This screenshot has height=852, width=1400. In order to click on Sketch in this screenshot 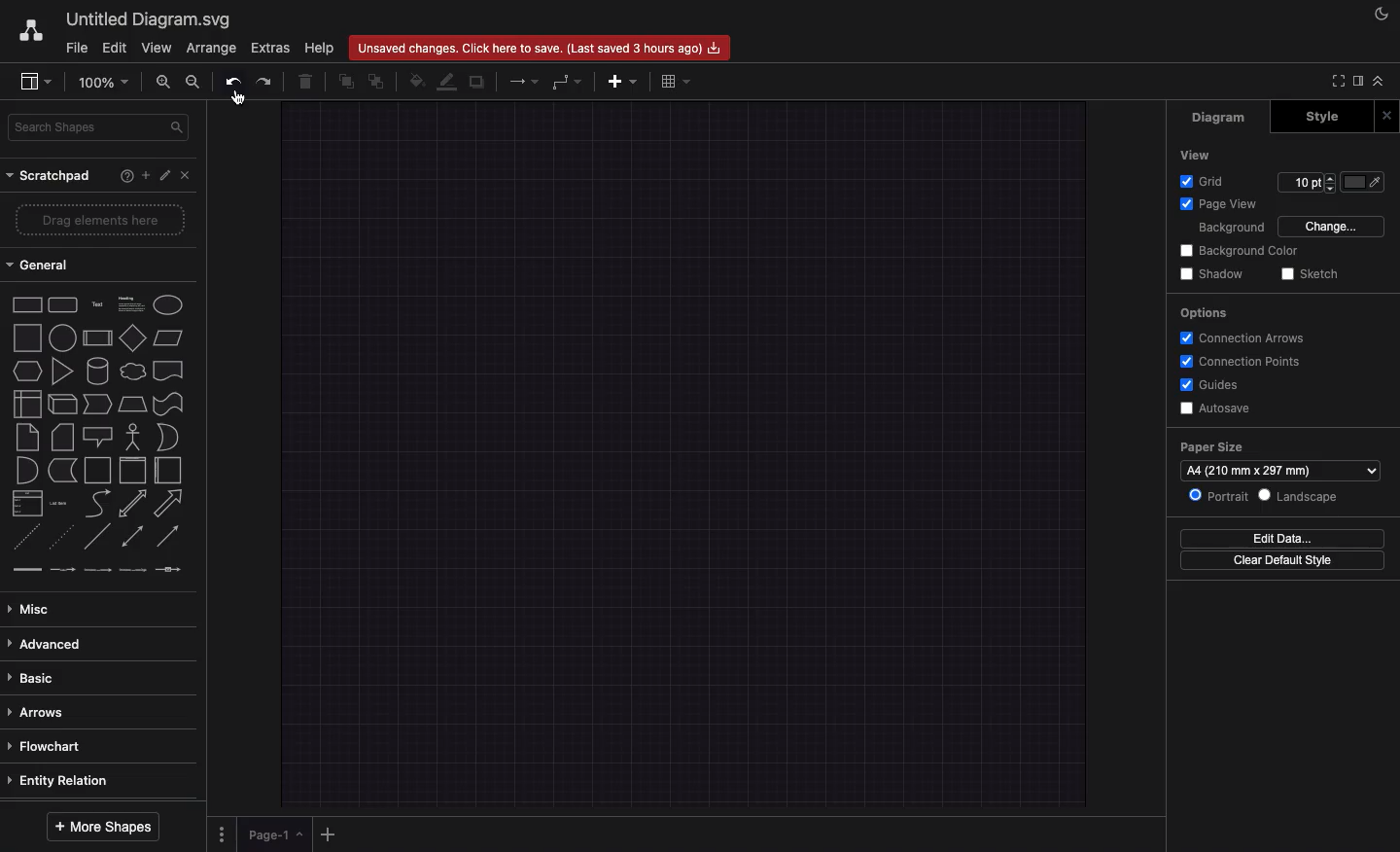, I will do `click(1312, 274)`.